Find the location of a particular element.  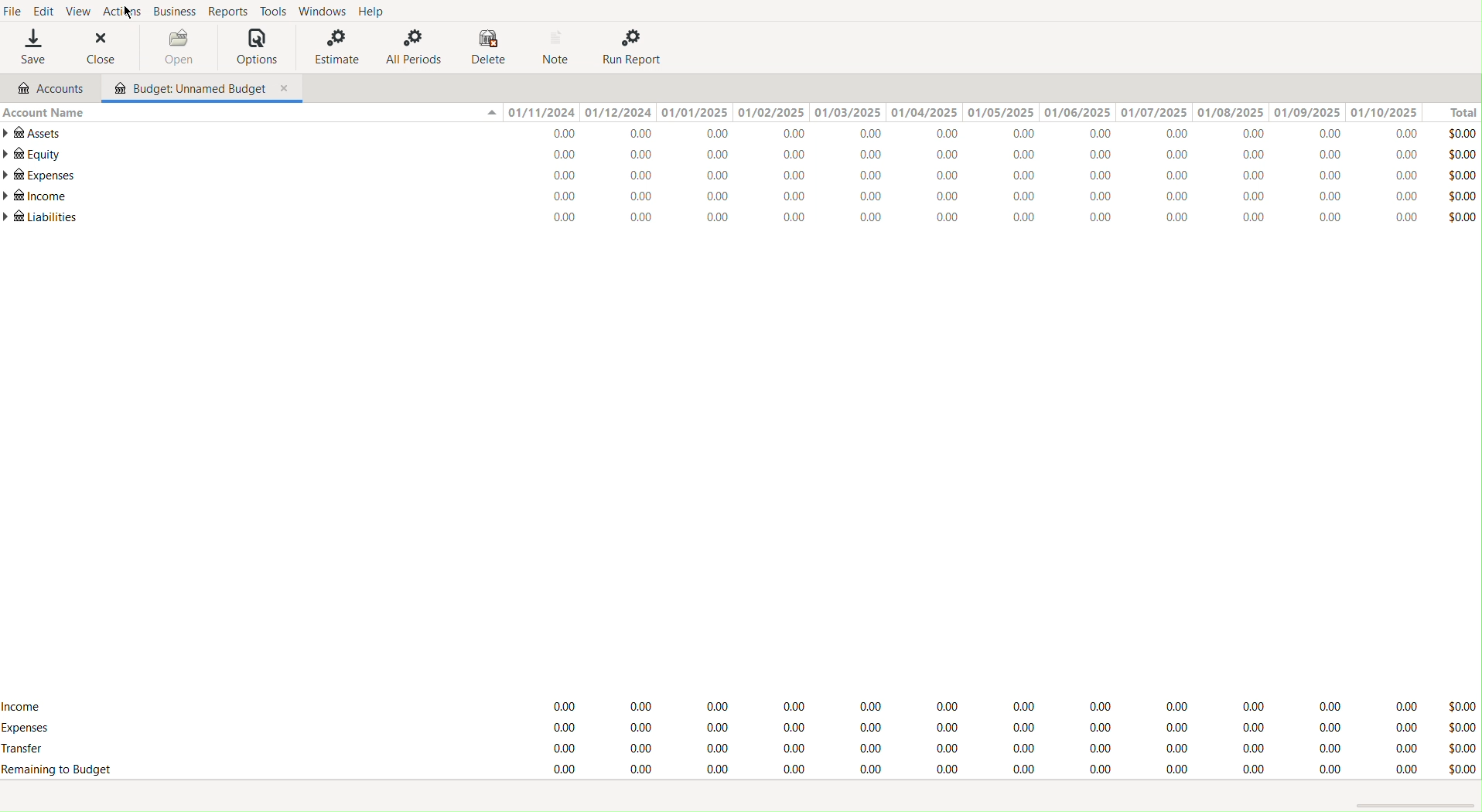

Reports is located at coordinates (227, 11).